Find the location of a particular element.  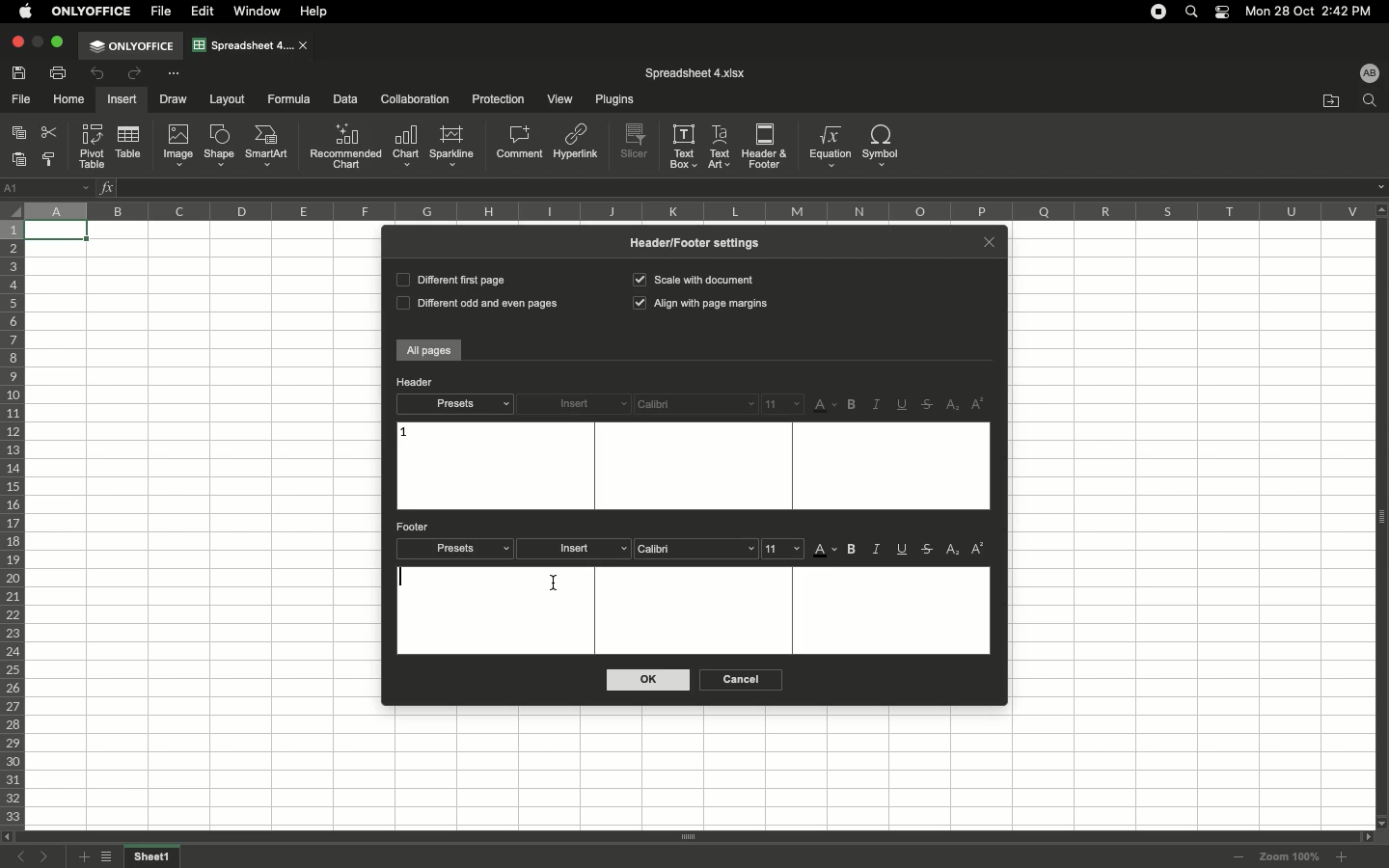

Text art is located at coordinates (721, 145).